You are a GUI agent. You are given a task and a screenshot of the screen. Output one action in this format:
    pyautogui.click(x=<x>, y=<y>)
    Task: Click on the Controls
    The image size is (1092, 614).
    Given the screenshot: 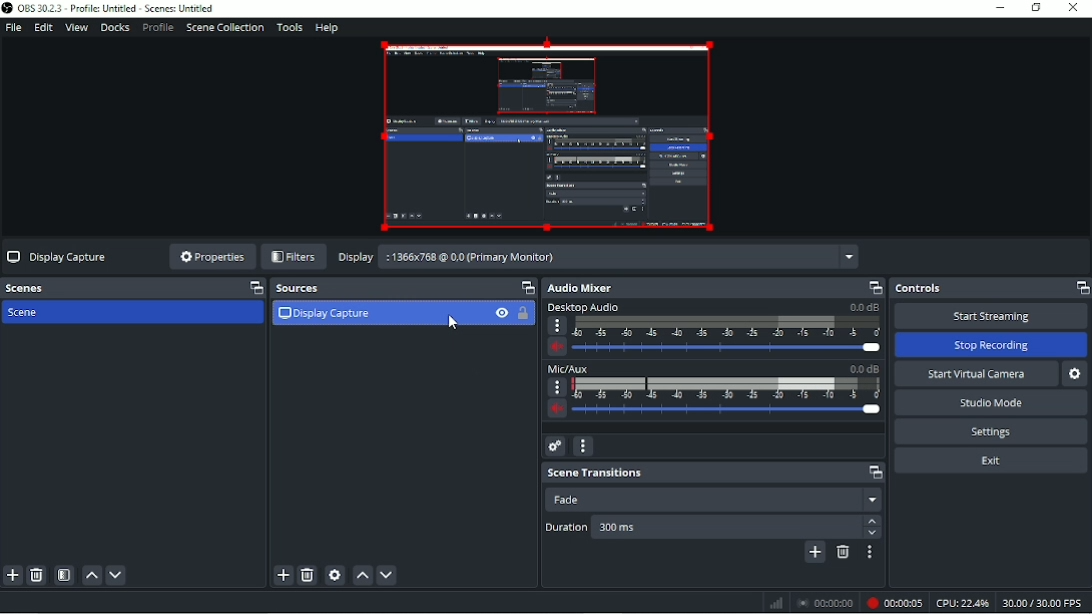 What is the action you would take?
    pyautogui.click(x=990, y=288)
    